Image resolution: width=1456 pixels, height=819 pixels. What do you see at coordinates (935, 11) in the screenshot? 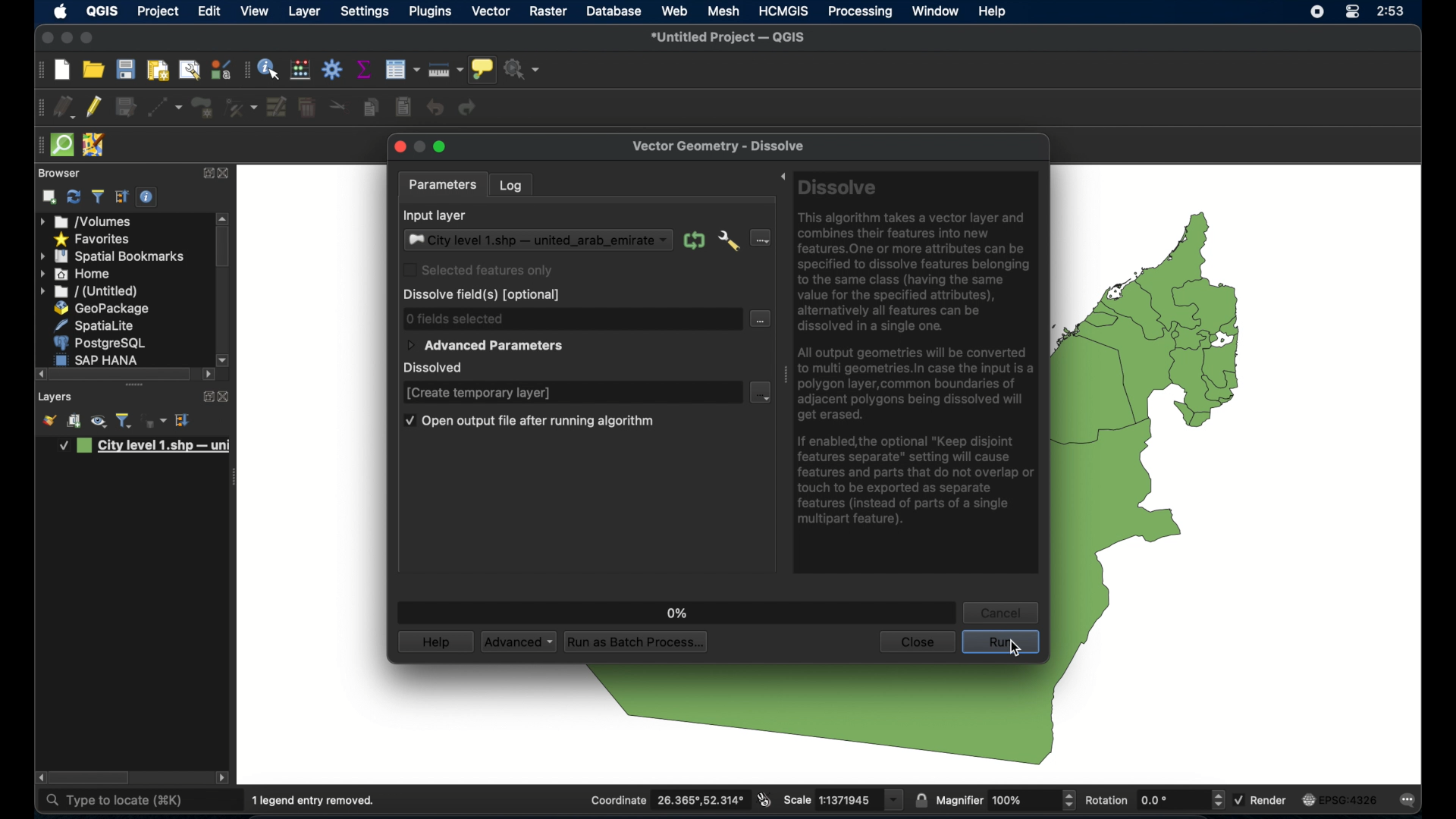
I see `window` at bounding box center [935, 11].